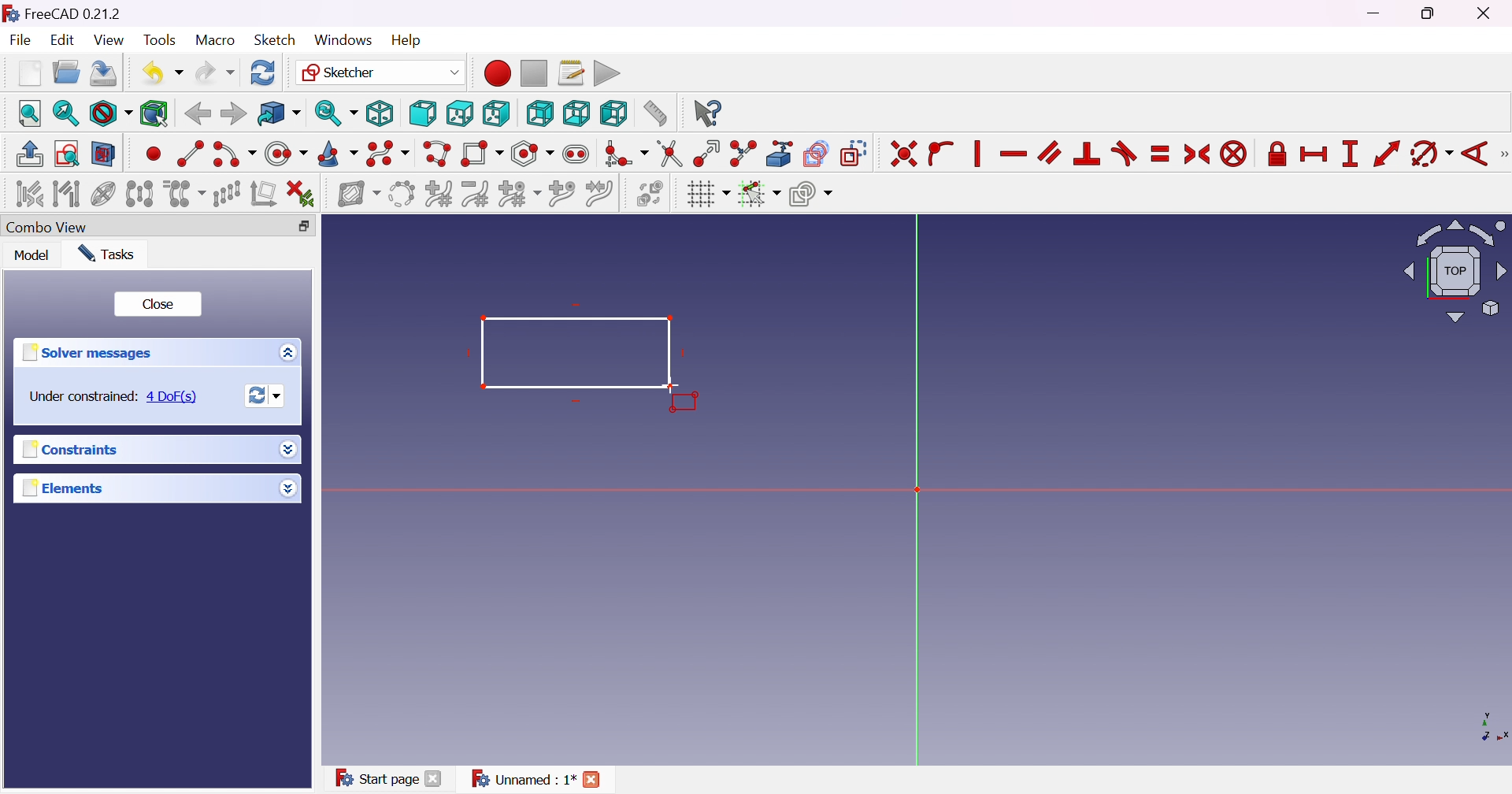  What do you see at coordinates (291, 449) in the screenshot?
I see `More options` at bounding box center [291, 449].